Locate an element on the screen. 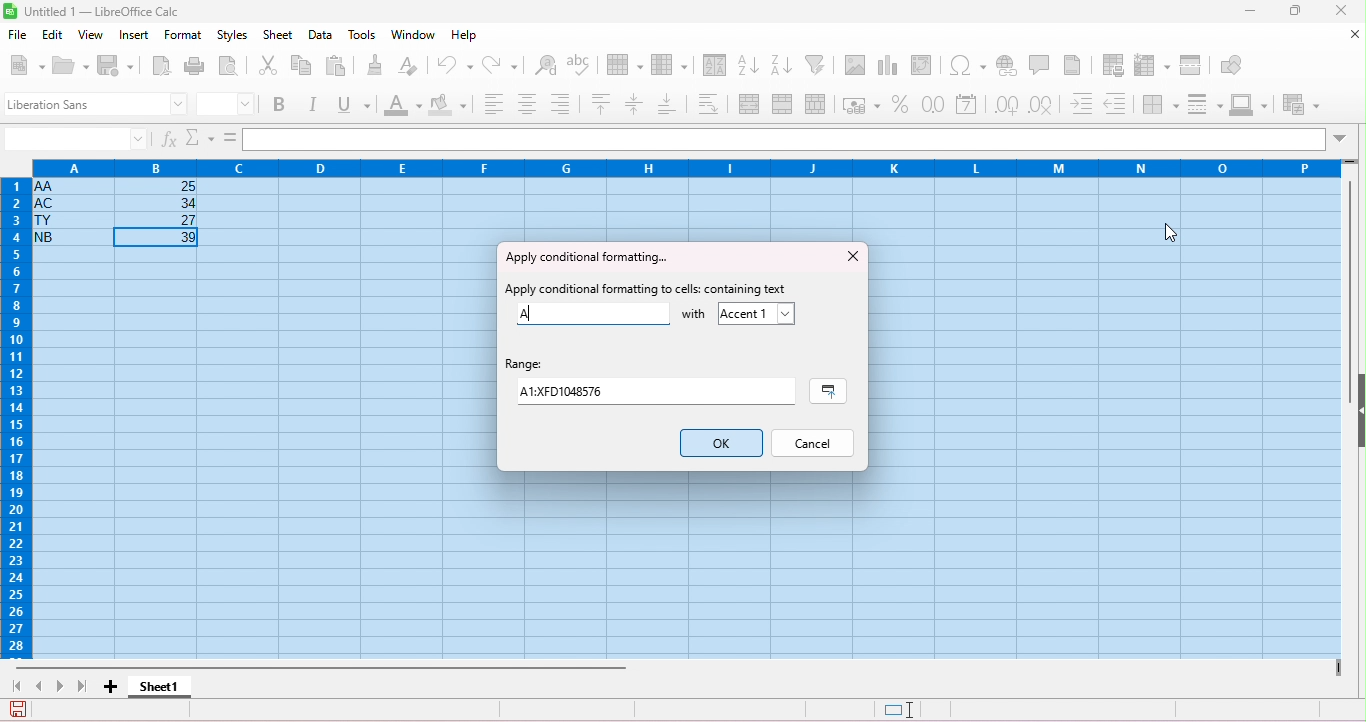 This screenshot has width=1366, height=722. print is located at coordinates (194, 65).